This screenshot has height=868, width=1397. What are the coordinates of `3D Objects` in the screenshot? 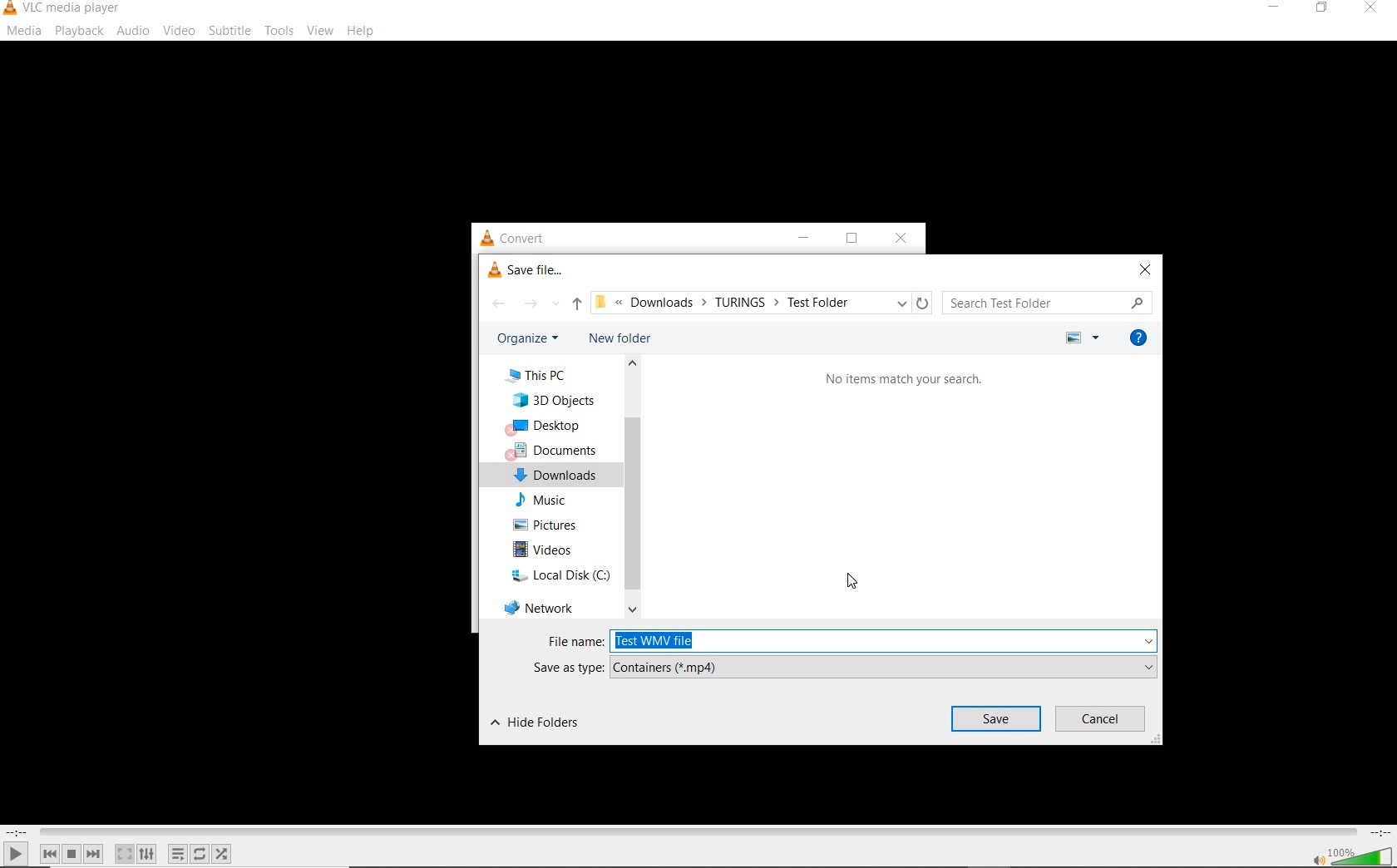 It's located at (555, 399).